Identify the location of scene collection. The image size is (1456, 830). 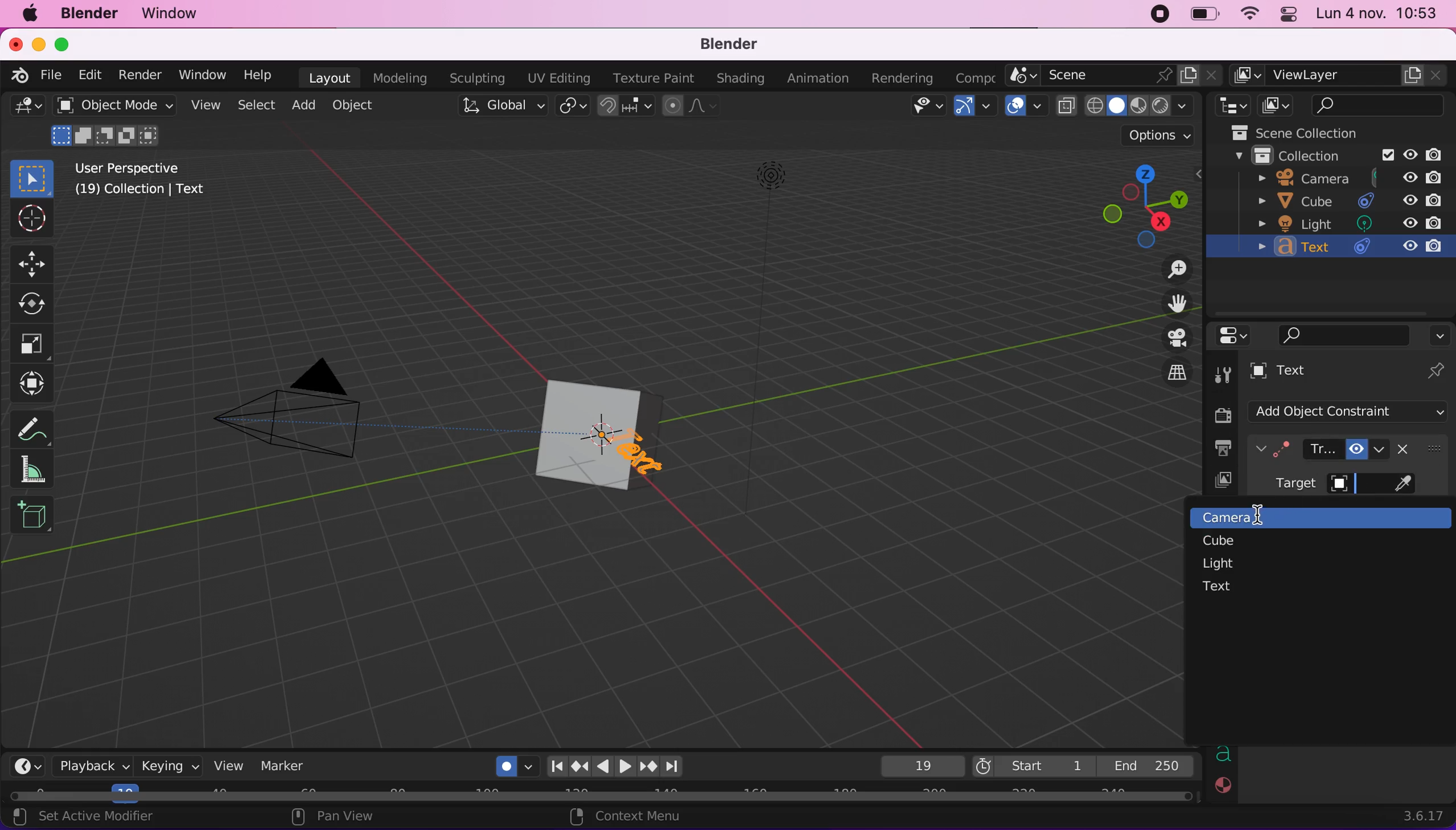
(1310, 133).